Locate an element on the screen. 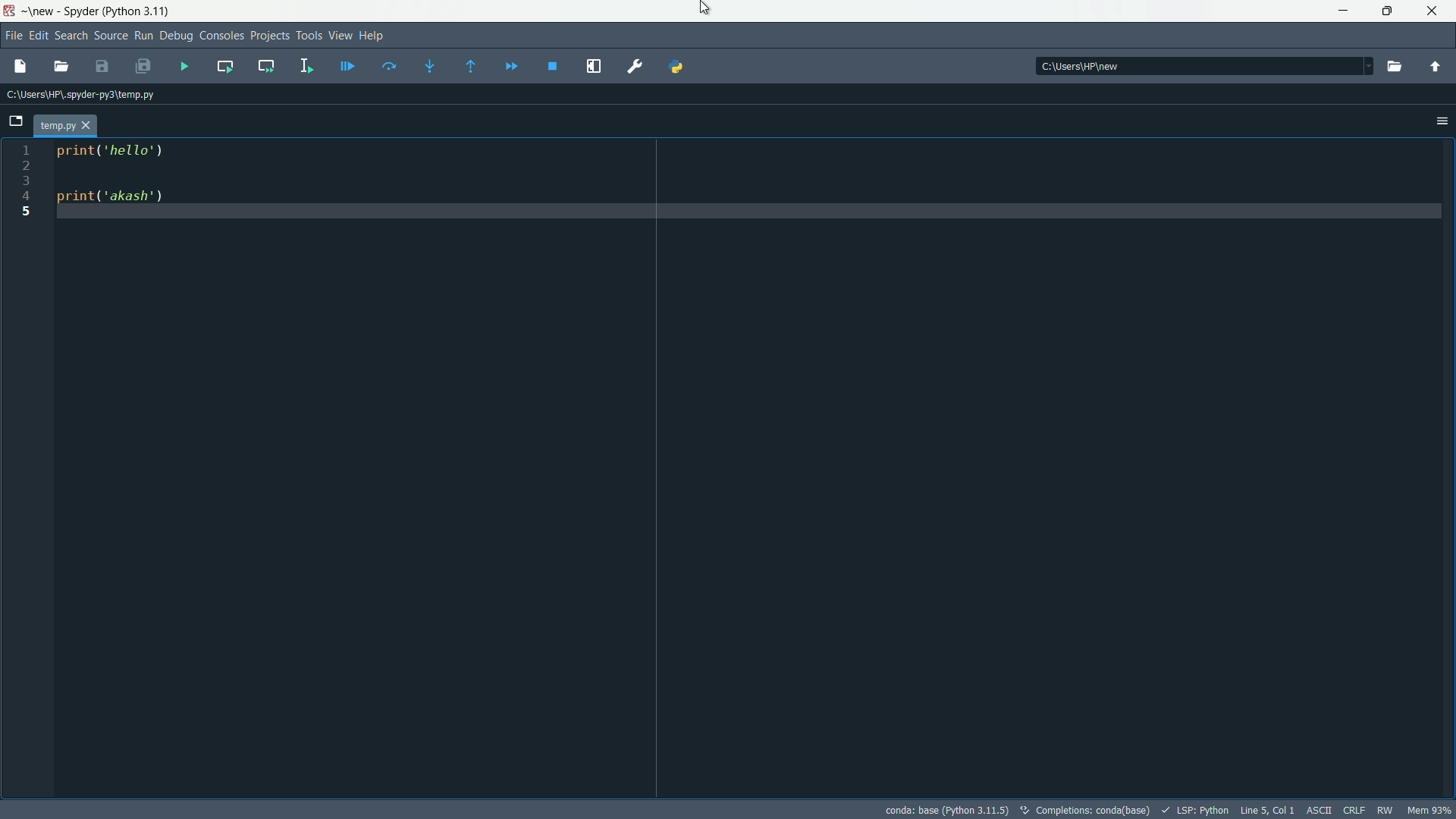 The height and width of the screenshot is (819, 1456). run current cell is located at coordinates (225, 65).